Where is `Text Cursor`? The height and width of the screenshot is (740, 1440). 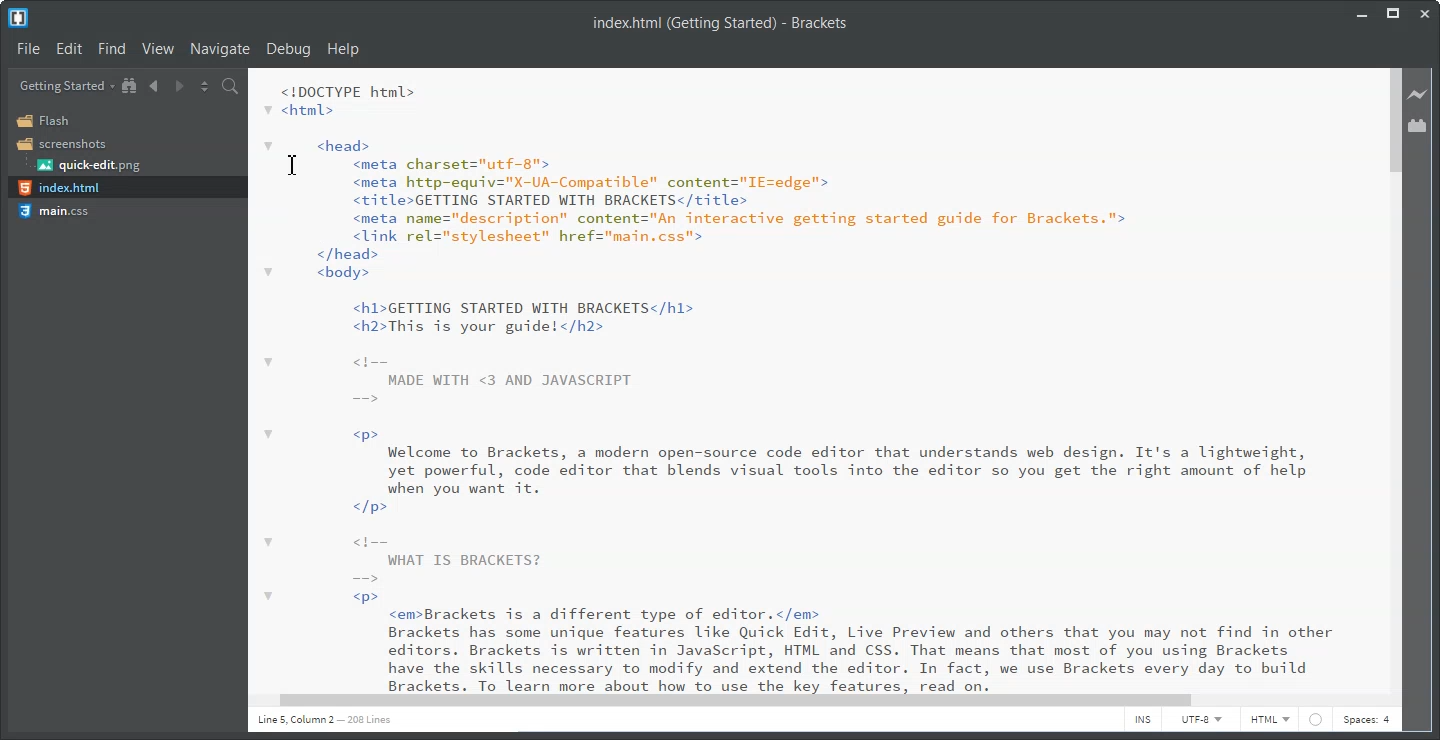 Text Cursor is located at coordinates (292, 162).